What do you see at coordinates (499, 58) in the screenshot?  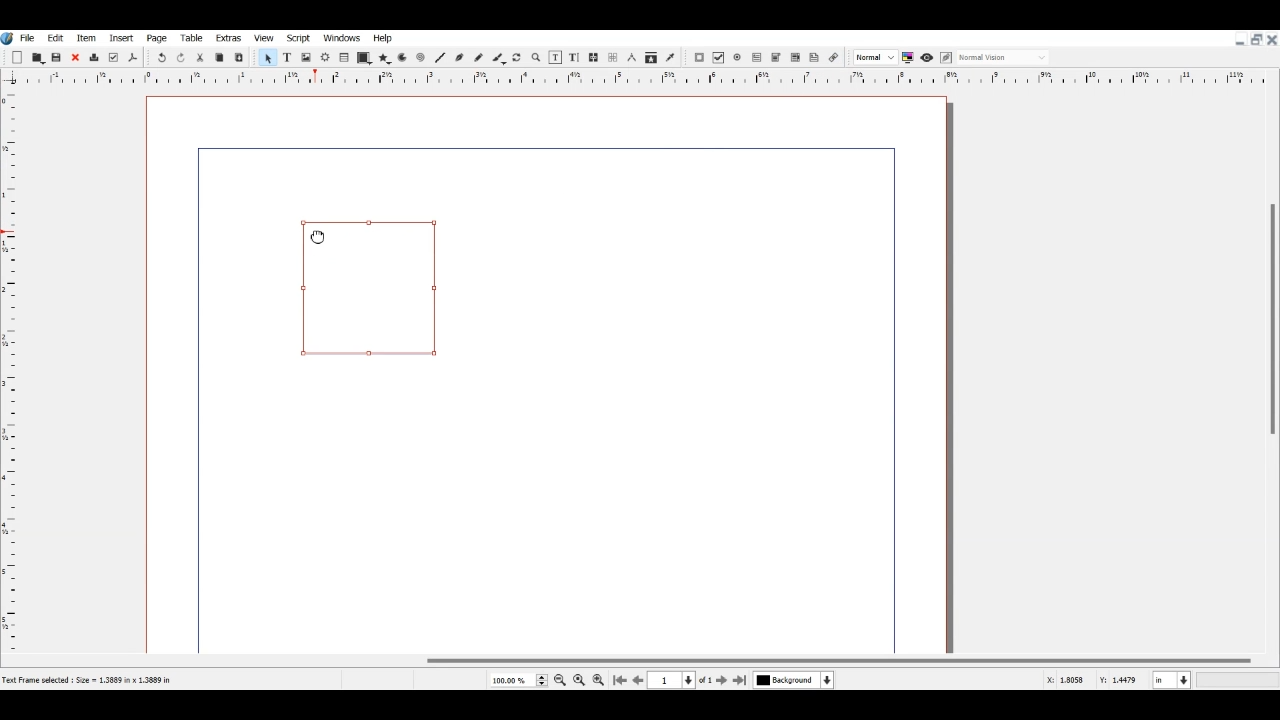 I see `Calligraphic line` at bounding box center [499, 58].